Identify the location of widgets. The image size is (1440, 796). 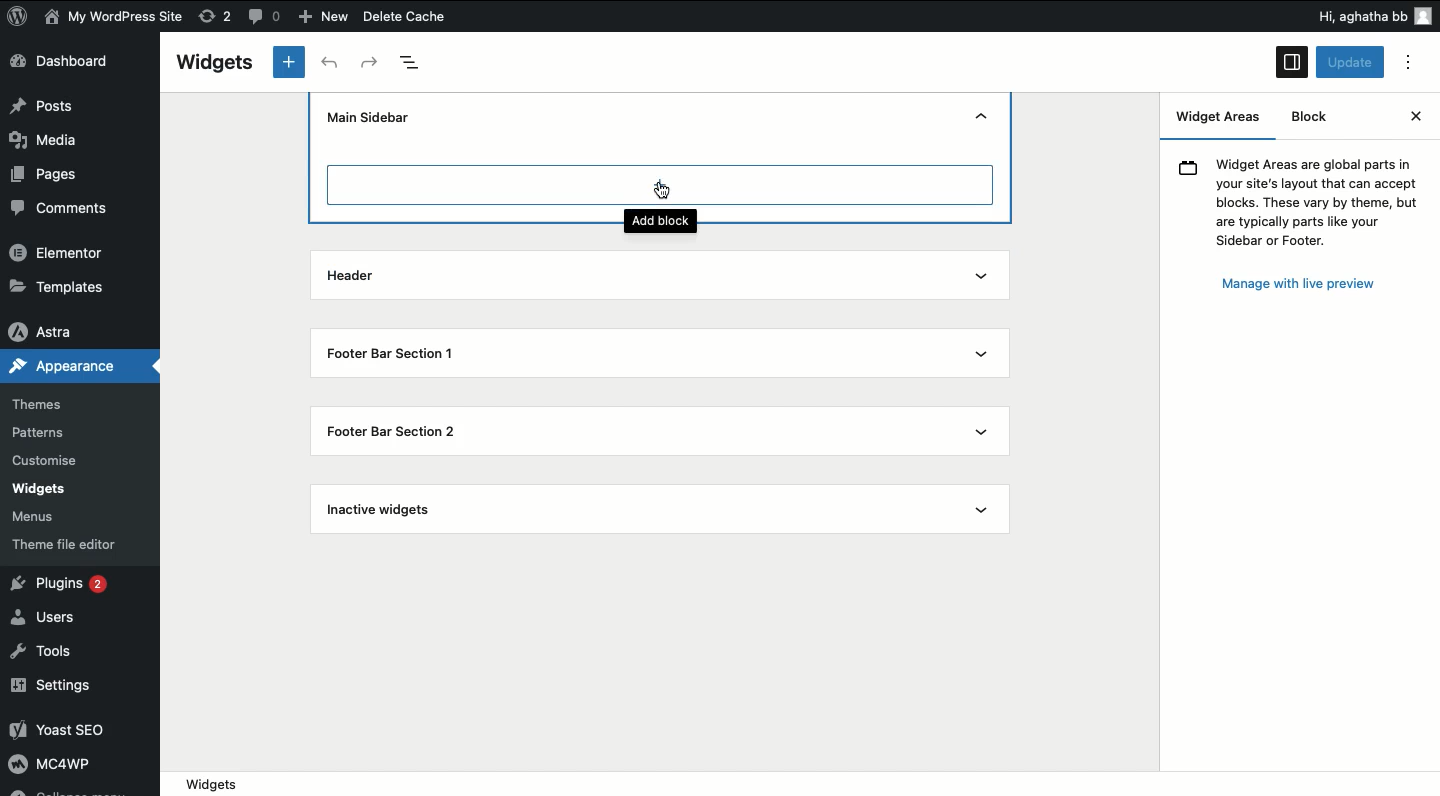
(55, 484).